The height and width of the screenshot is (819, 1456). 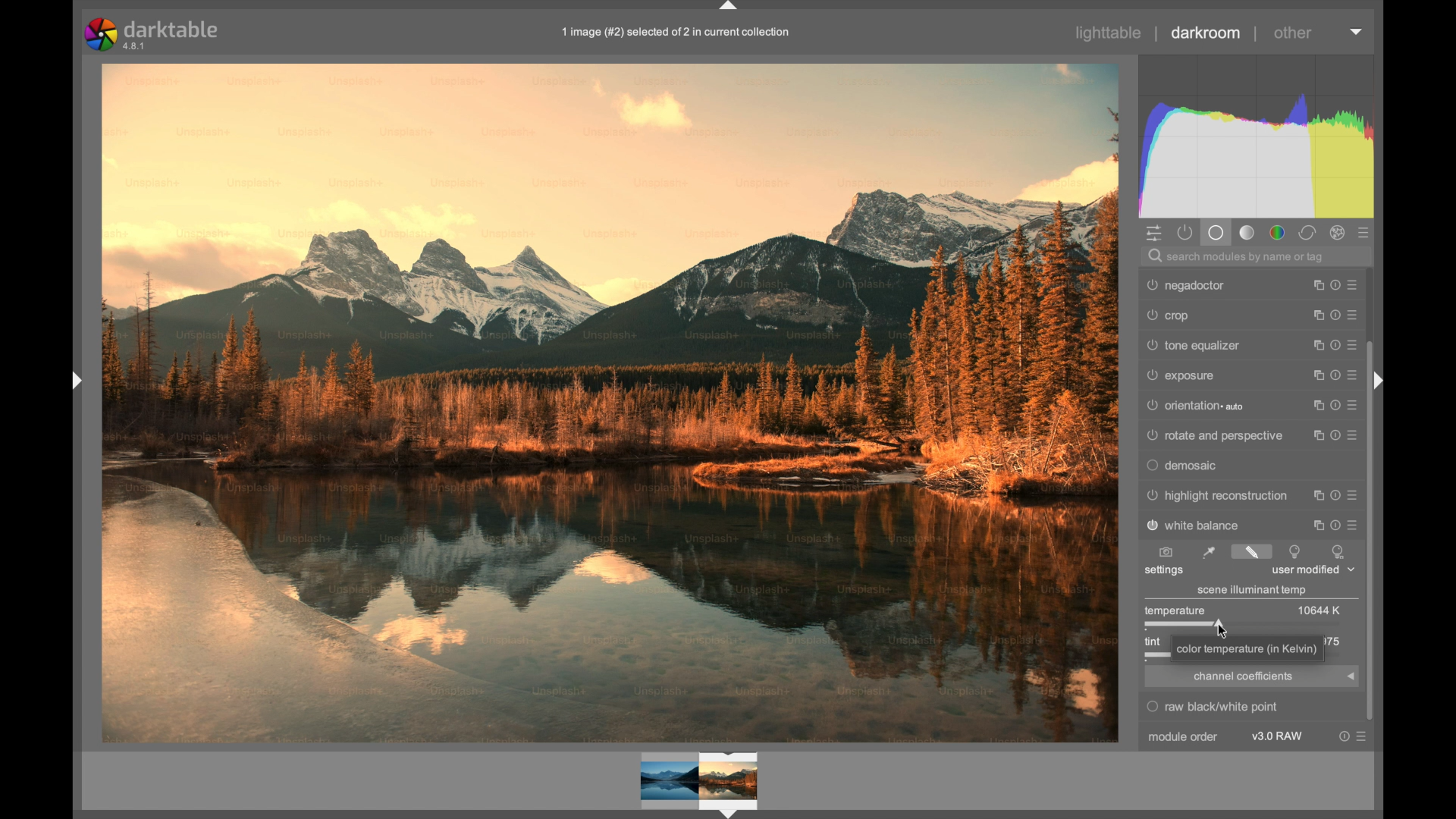 What do you see at coordinates (1216, 232) in the screenshot?
I see `base` at bounding box center [1216, 232].